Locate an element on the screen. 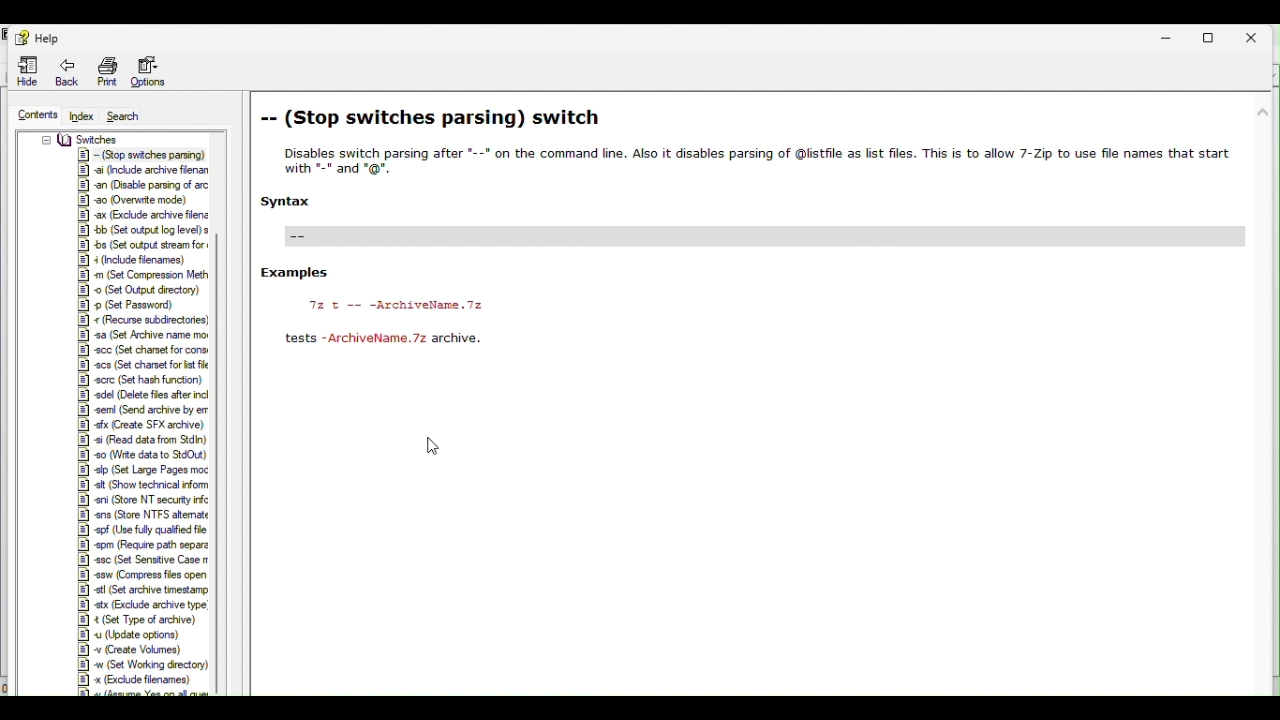 The height and width of the screenshot is (720, 1280). Close is located at coordinates (1251, 37).